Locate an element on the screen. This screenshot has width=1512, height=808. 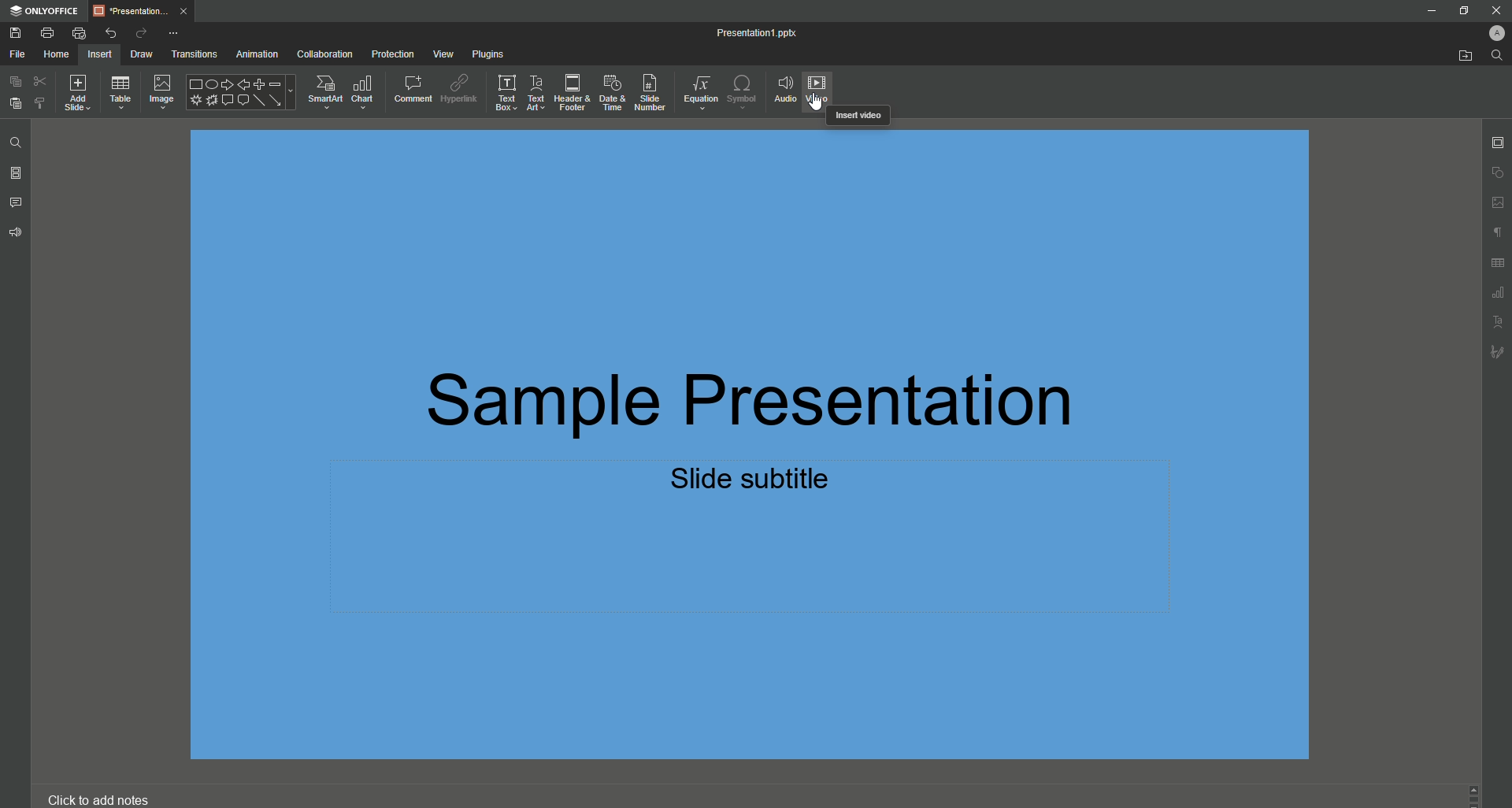
Undo is located at coordinates (112, 33).